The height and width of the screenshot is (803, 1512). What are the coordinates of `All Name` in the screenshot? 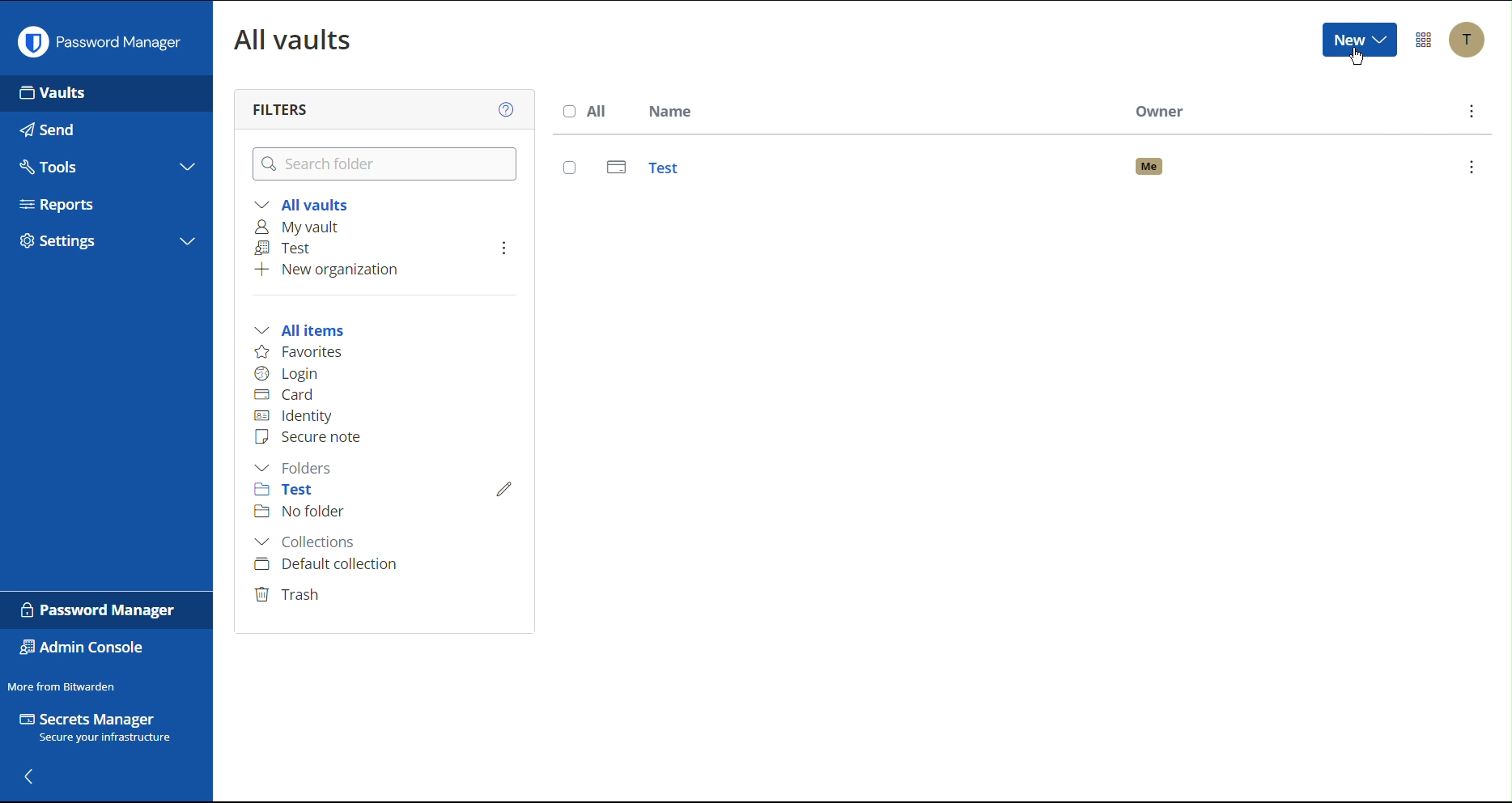 It's located at (584, 113).